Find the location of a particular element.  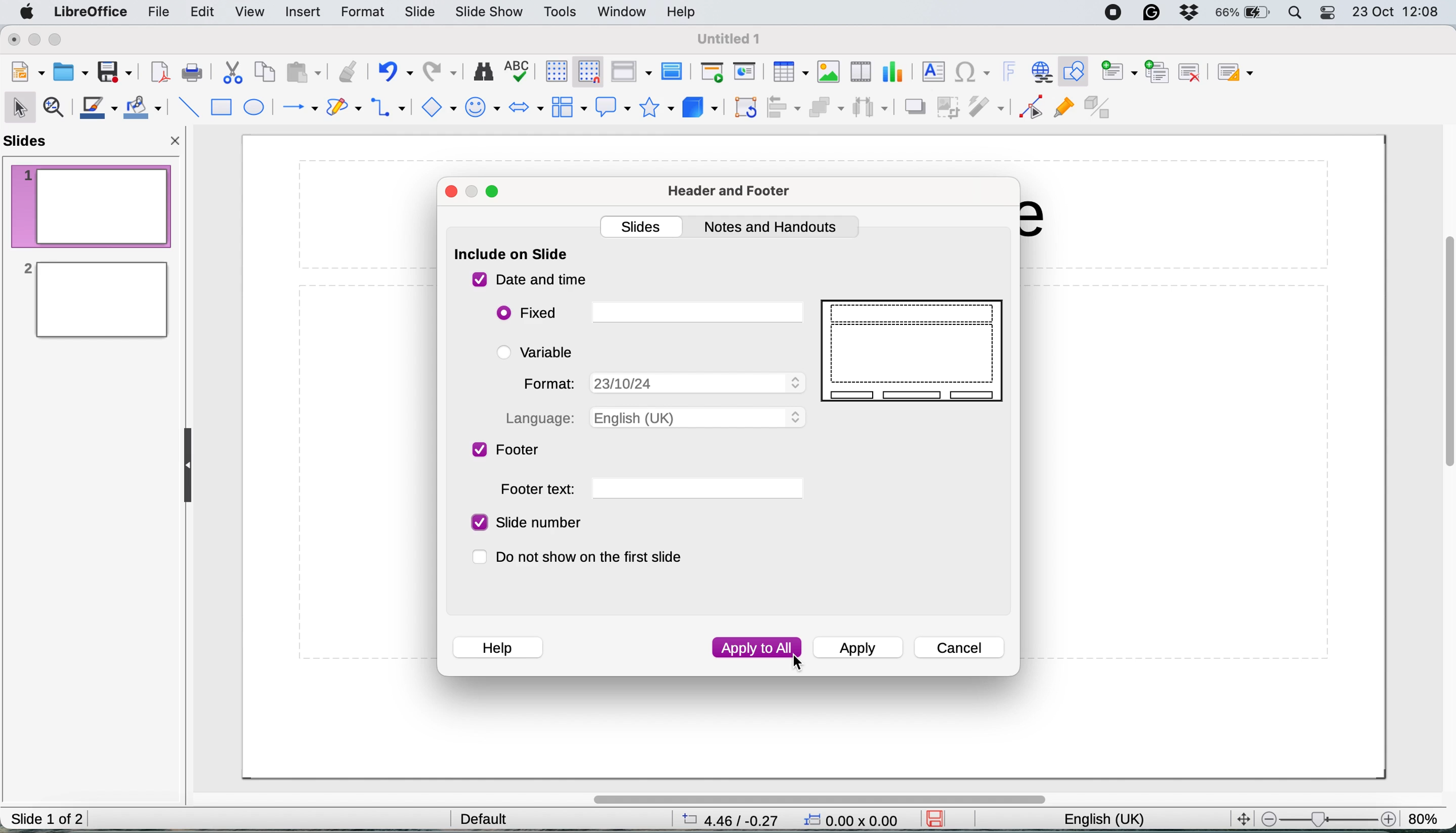

slide 2 is located at coordinates (93, 300).